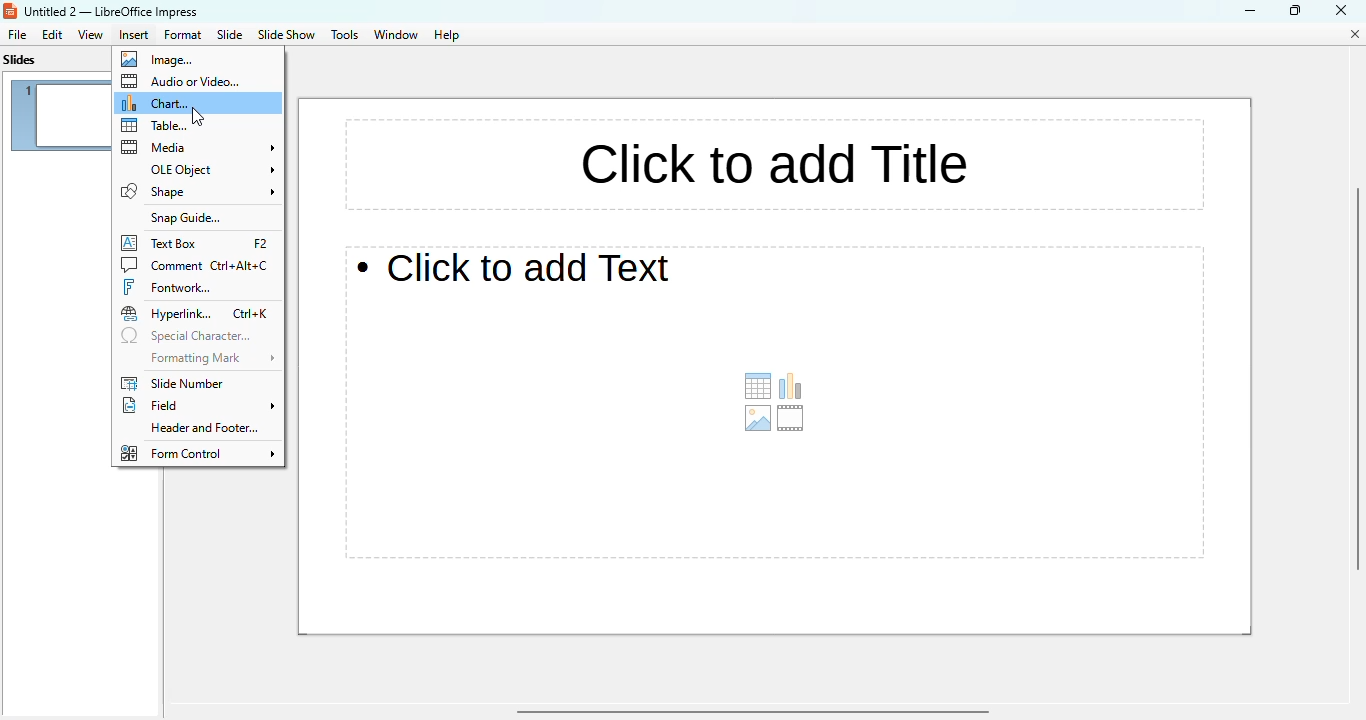 The height and width of the screenshot is (720, 1366). Describe the element at coordinates (1352, 379) in the screenshot. I see `vertical scroll bar` at that location.